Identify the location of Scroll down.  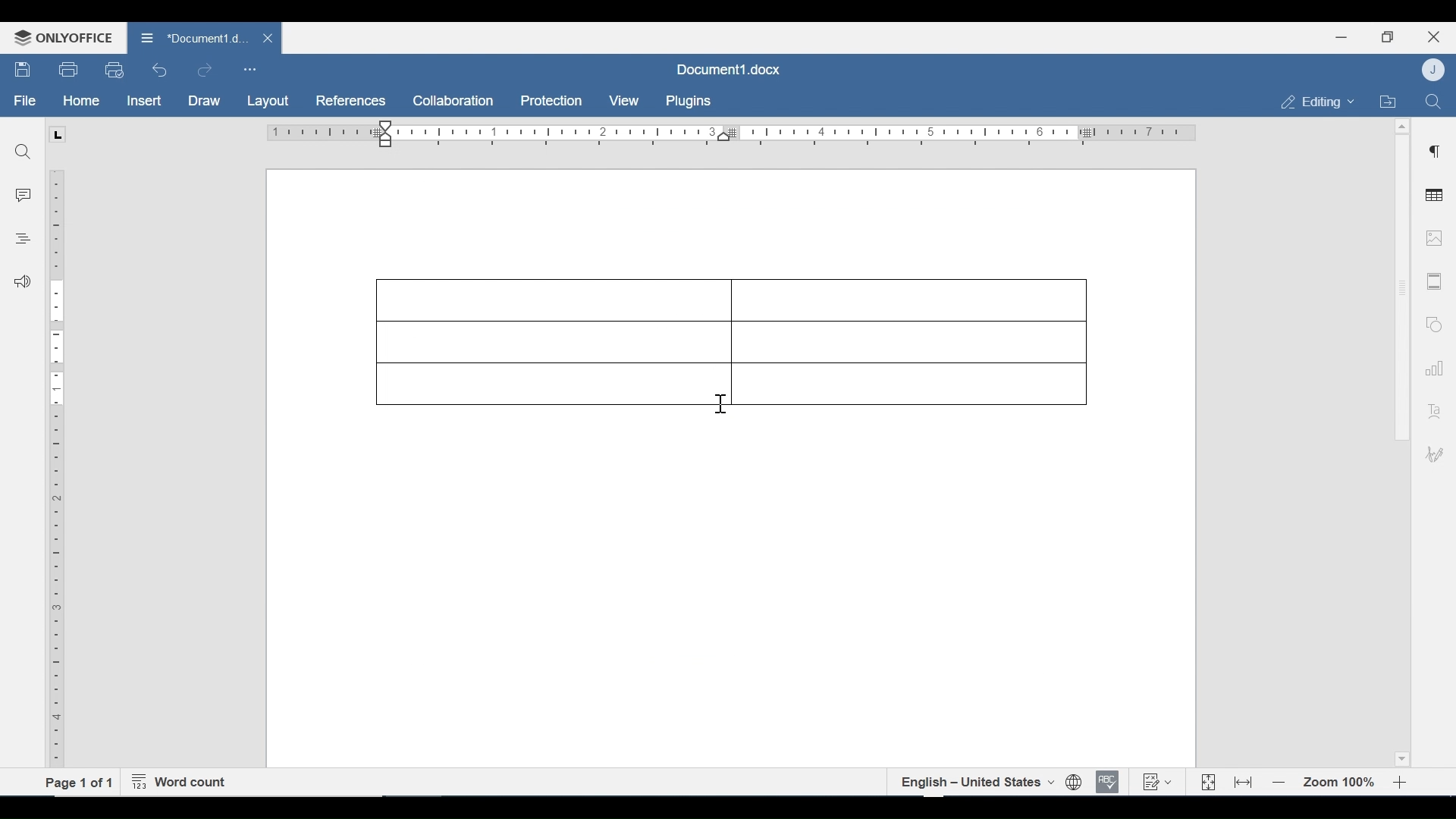
(1401, 757).